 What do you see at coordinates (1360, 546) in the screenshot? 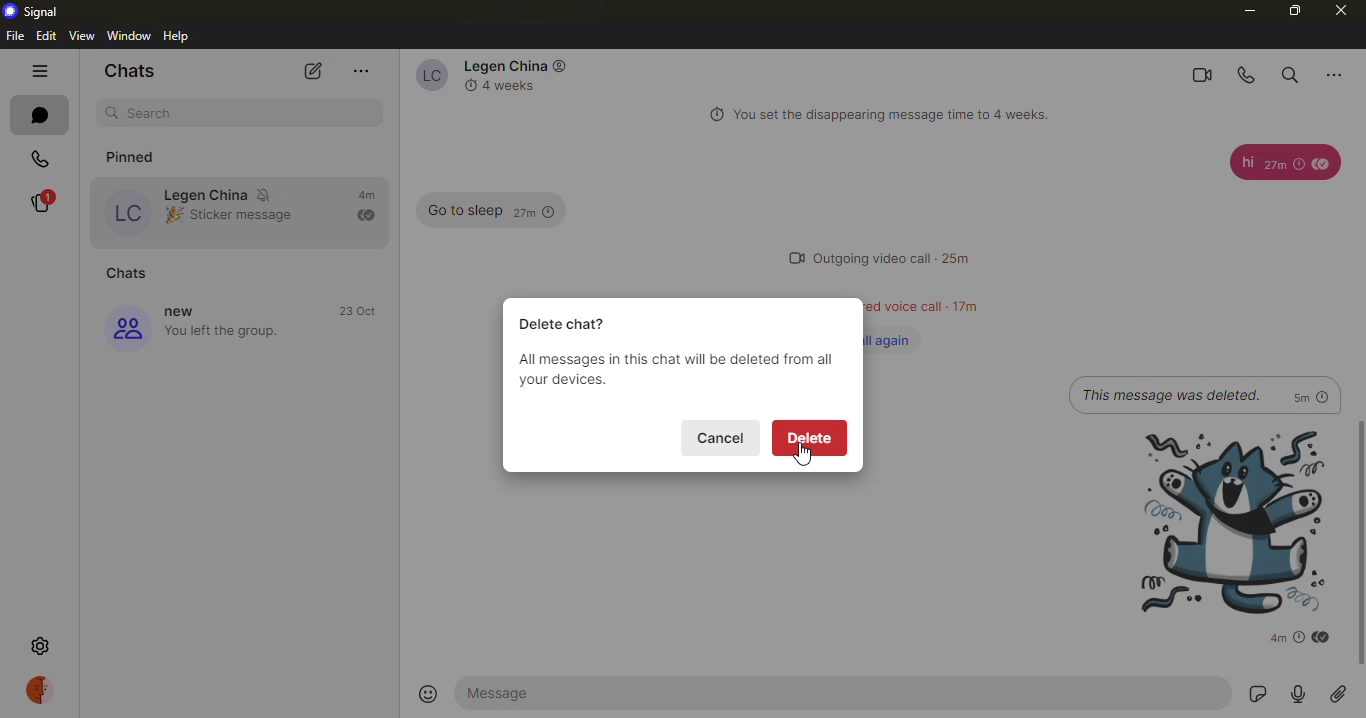
I see `scroll bar` at bounding box center [1360, 546].